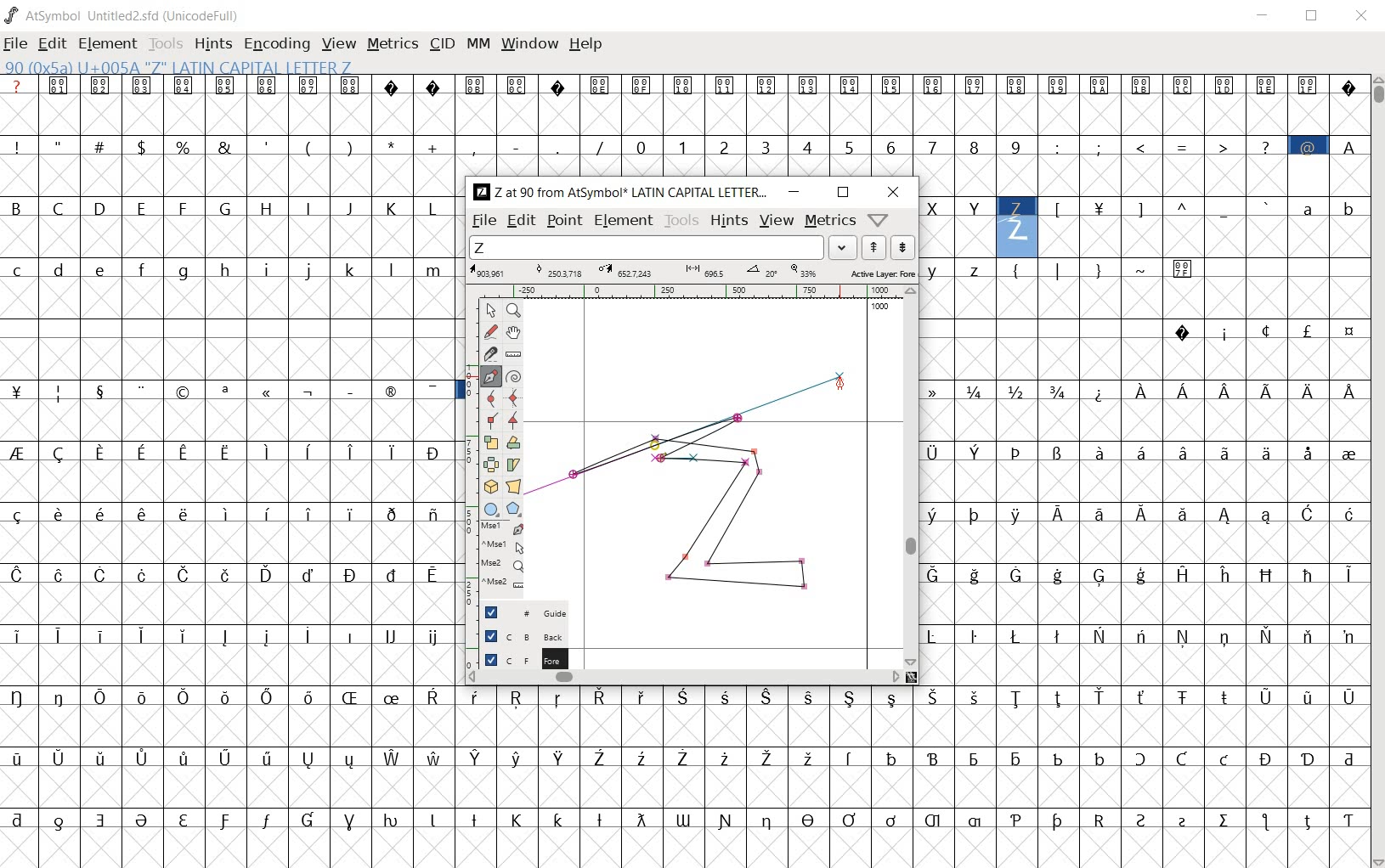 This screenshot has width=1385, height=868. What do you see at coordinates (902, 247) in the screenshot?
I see `show the previous word on the list` at bounding box center [902, 247].